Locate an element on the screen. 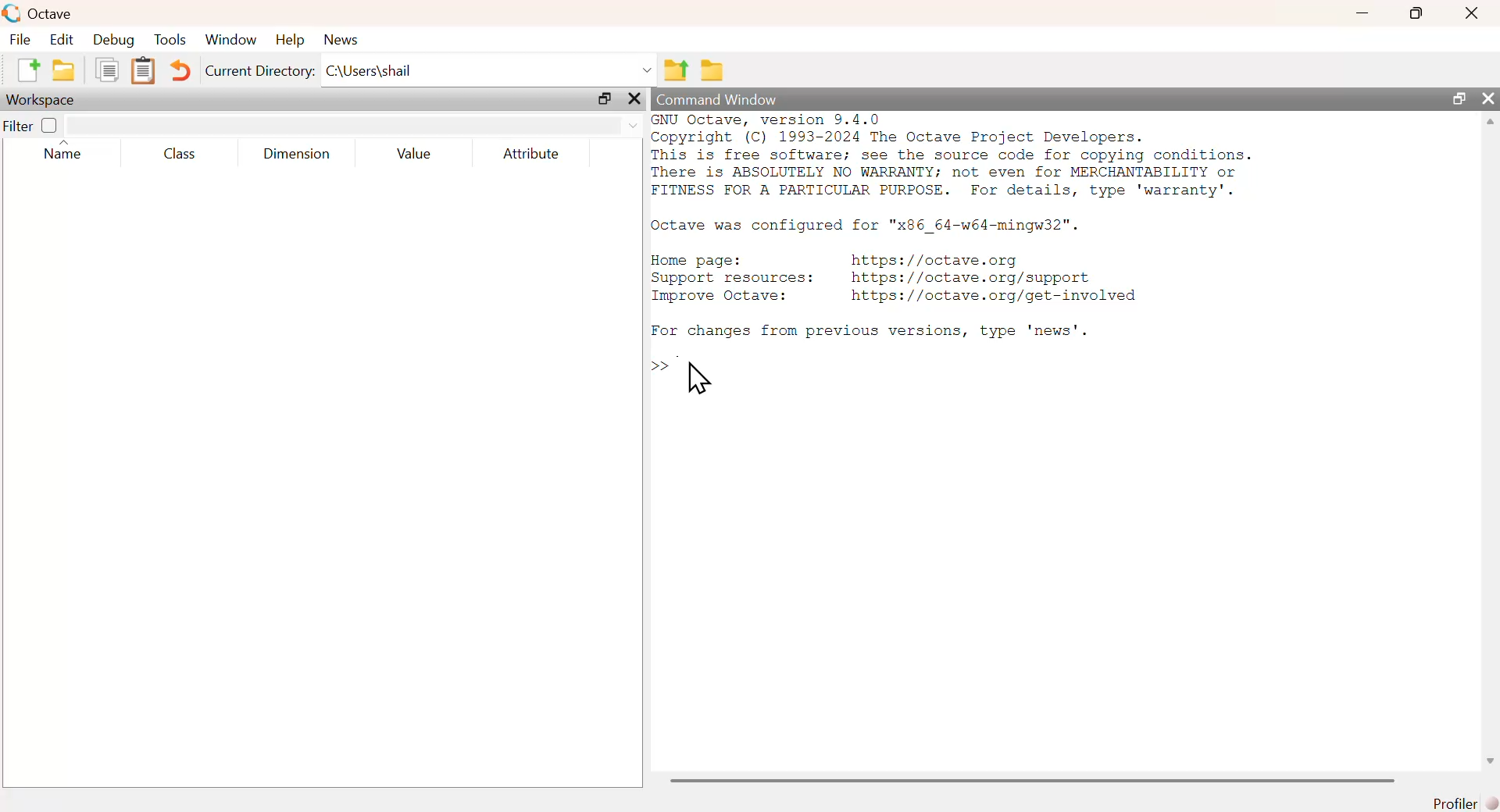  maximize is located at coordinates (605, 97).